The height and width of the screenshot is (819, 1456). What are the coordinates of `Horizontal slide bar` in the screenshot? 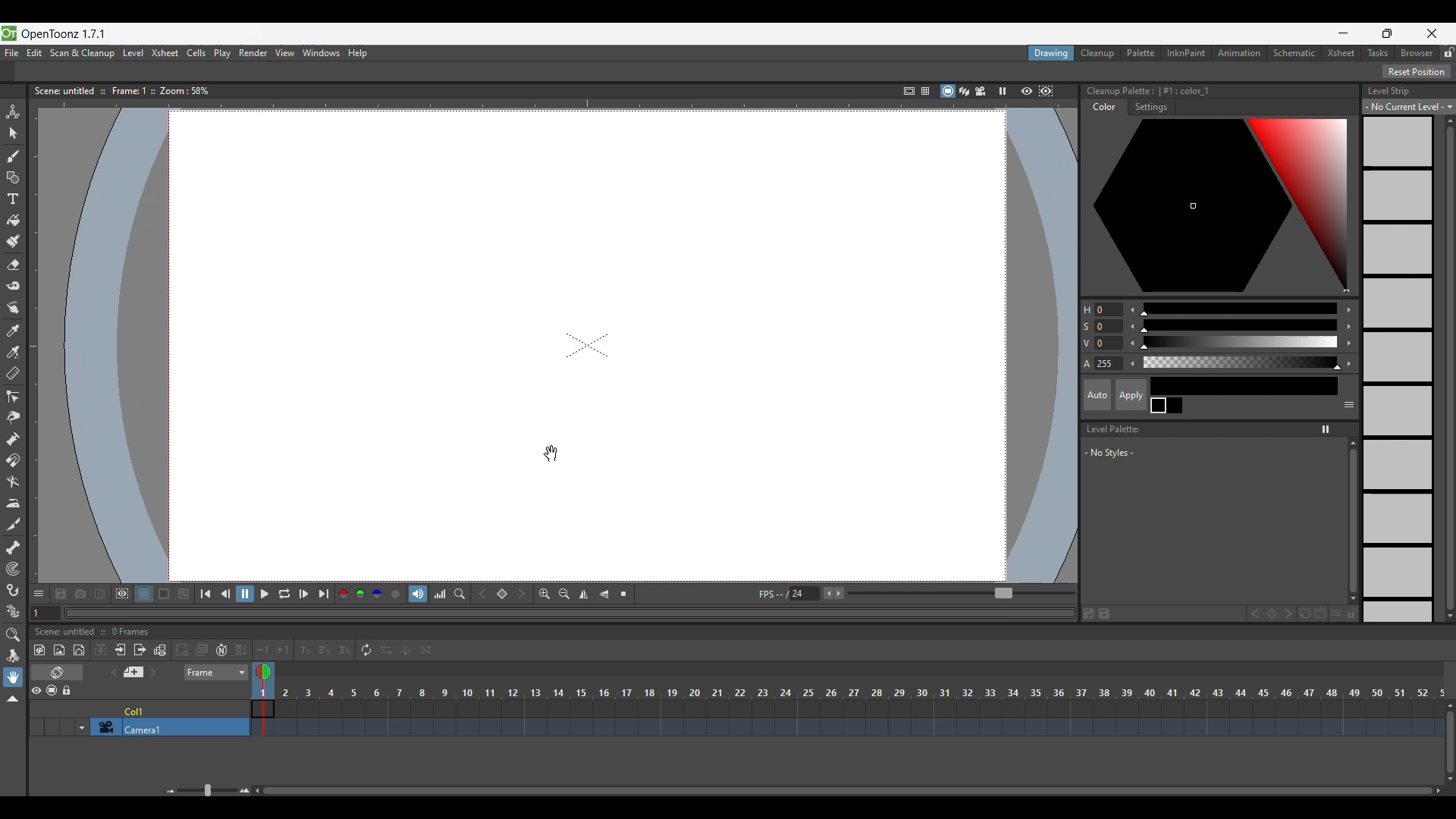 It's located at (846, 791).